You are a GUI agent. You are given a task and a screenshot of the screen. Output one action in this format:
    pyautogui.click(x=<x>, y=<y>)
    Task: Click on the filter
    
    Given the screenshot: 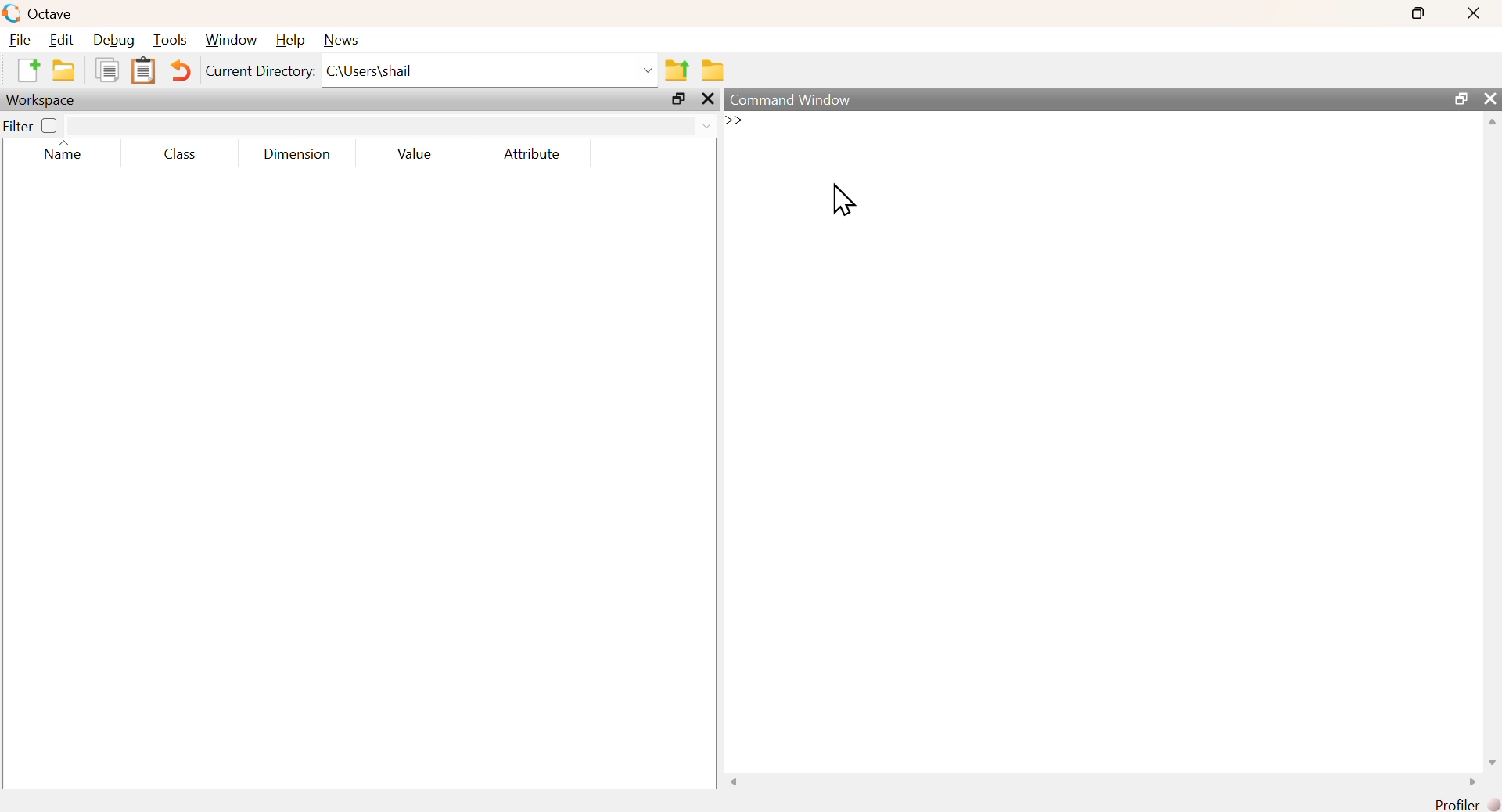 What is the action you would take?
    pyautogui.click(x=391, y=126)
    